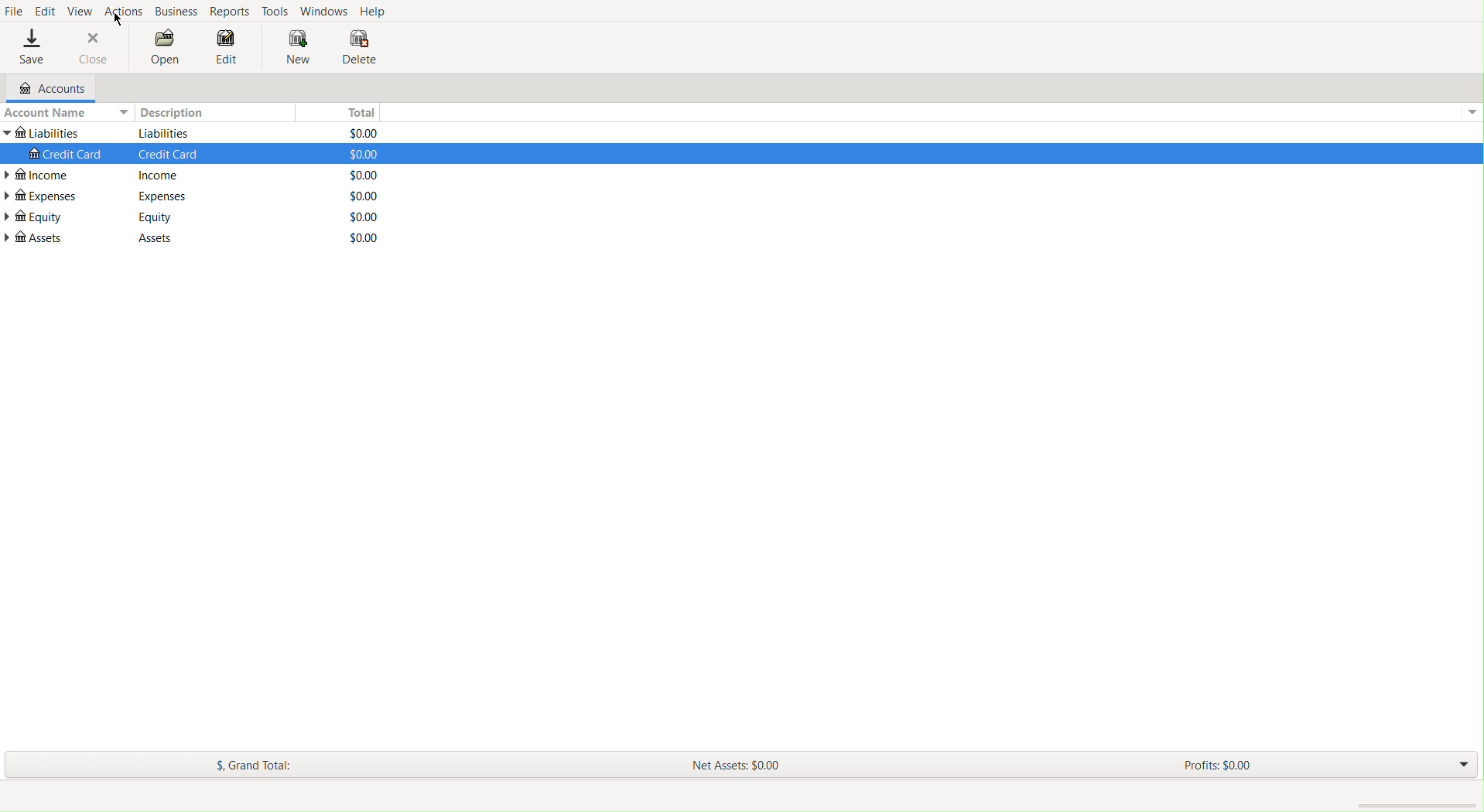  I want to click on Income, so click(45, 175).